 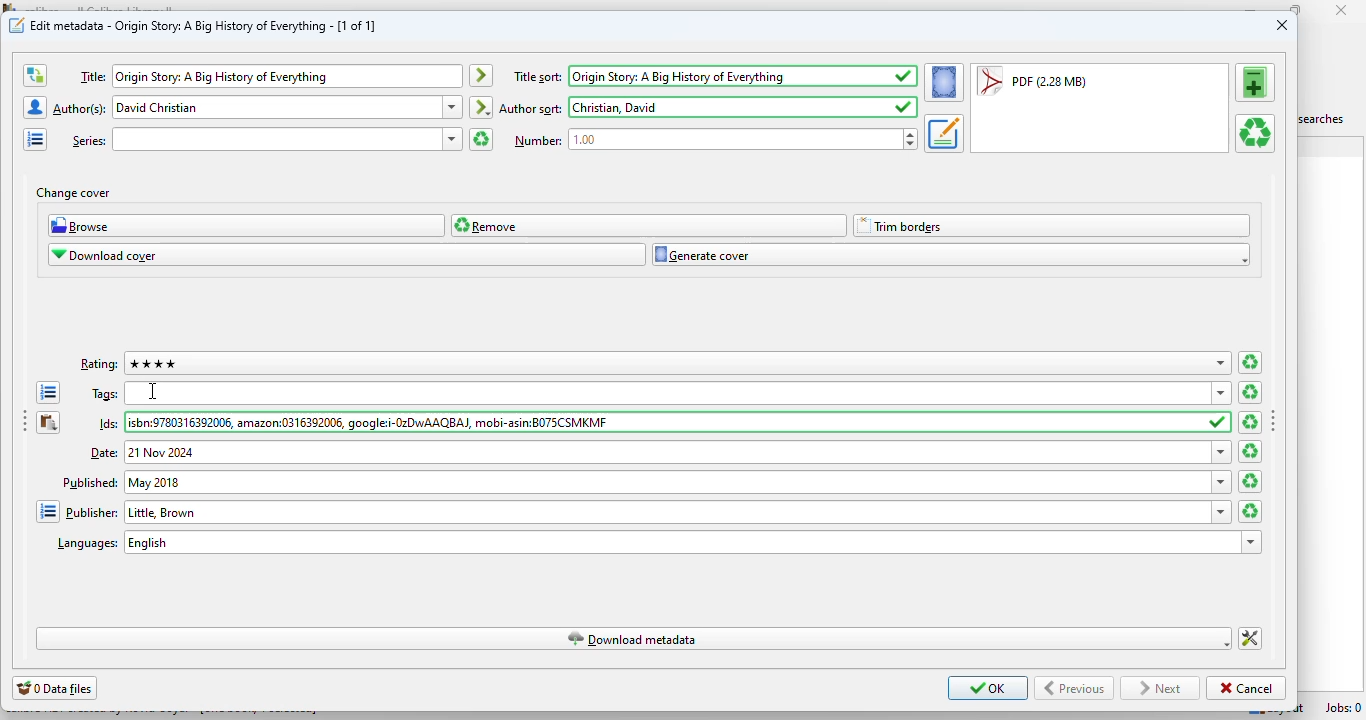 I want to click on Published: May 2018, so click(x=666, y=482).